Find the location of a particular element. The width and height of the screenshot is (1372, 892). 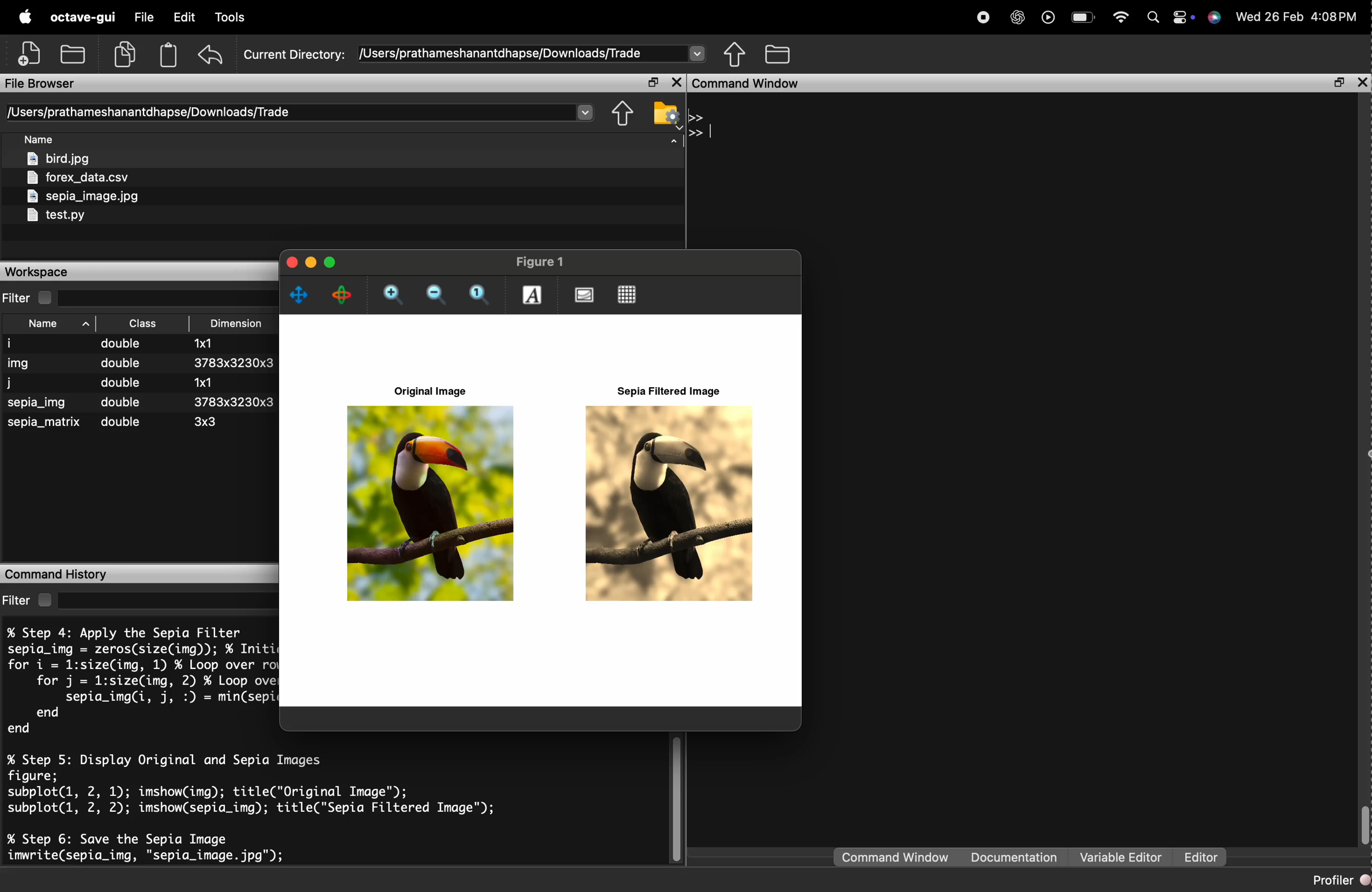

folder settings is located at coordinates (668, 115).